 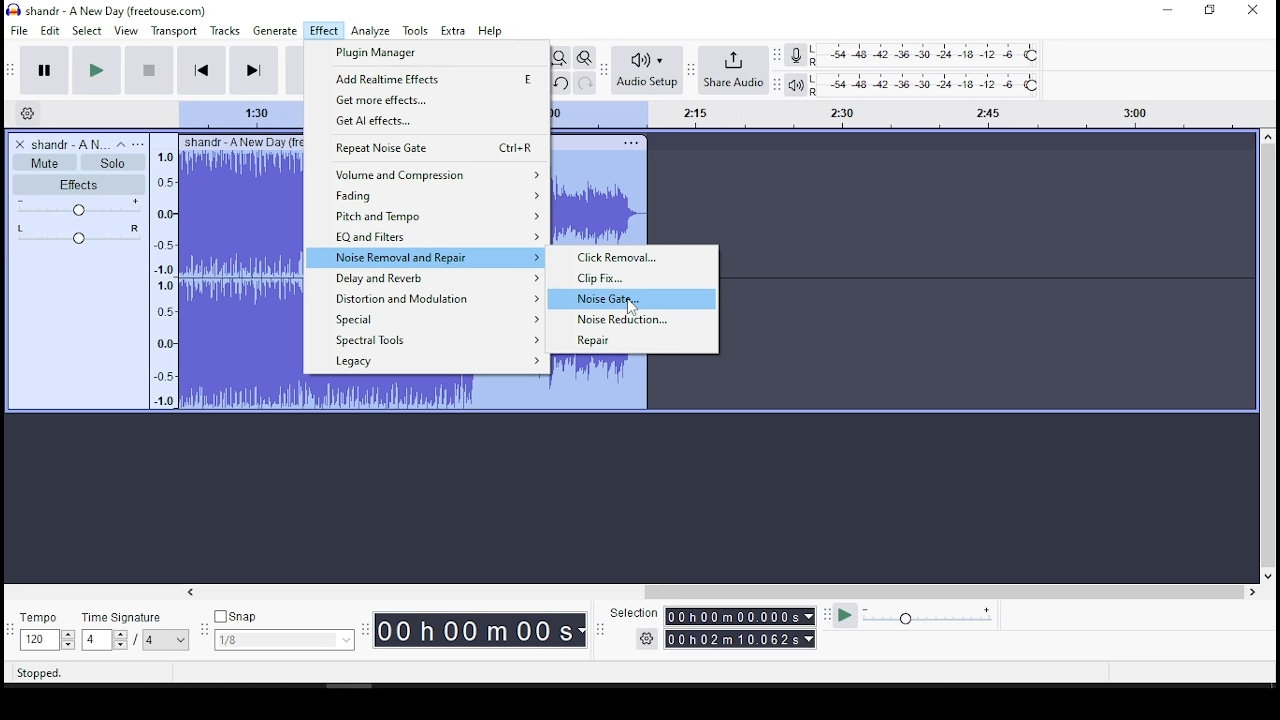 What do you see at coordinates (428, 53) in the screenshot?
I see `plugin manager` at bounding box center [428, 53].